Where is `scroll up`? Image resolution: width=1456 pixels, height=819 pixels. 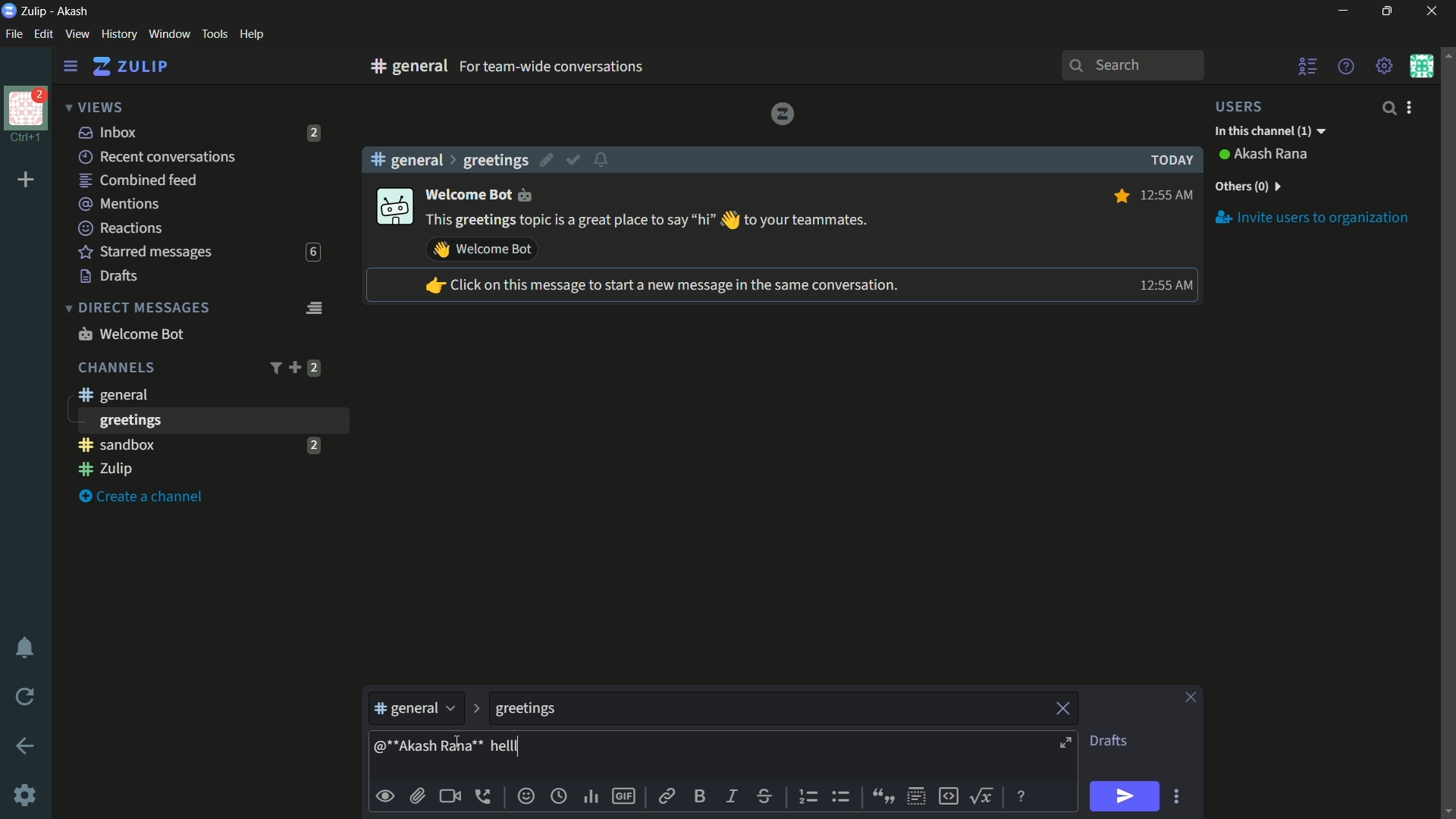 scroll up is located at coordinates (1447, 54).